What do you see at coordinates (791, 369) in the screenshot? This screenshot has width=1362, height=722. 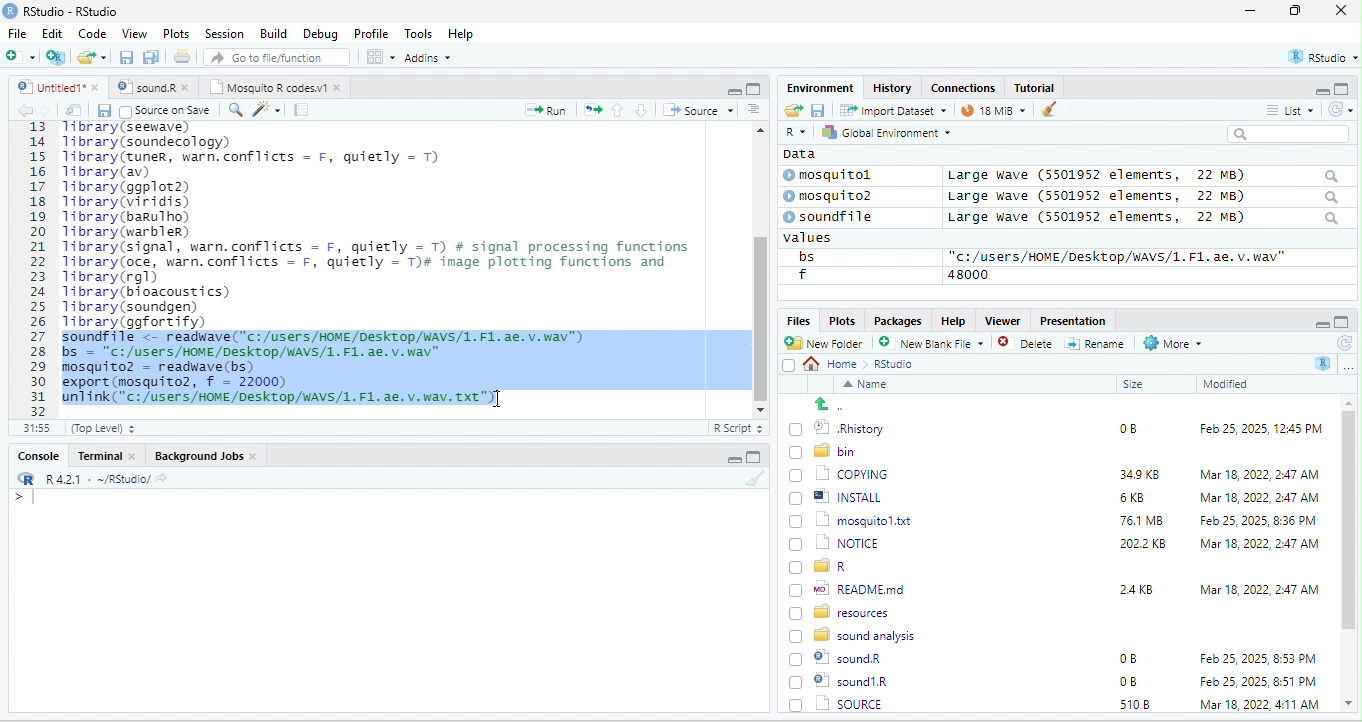 I see `select` at bounding box center [791, 369].